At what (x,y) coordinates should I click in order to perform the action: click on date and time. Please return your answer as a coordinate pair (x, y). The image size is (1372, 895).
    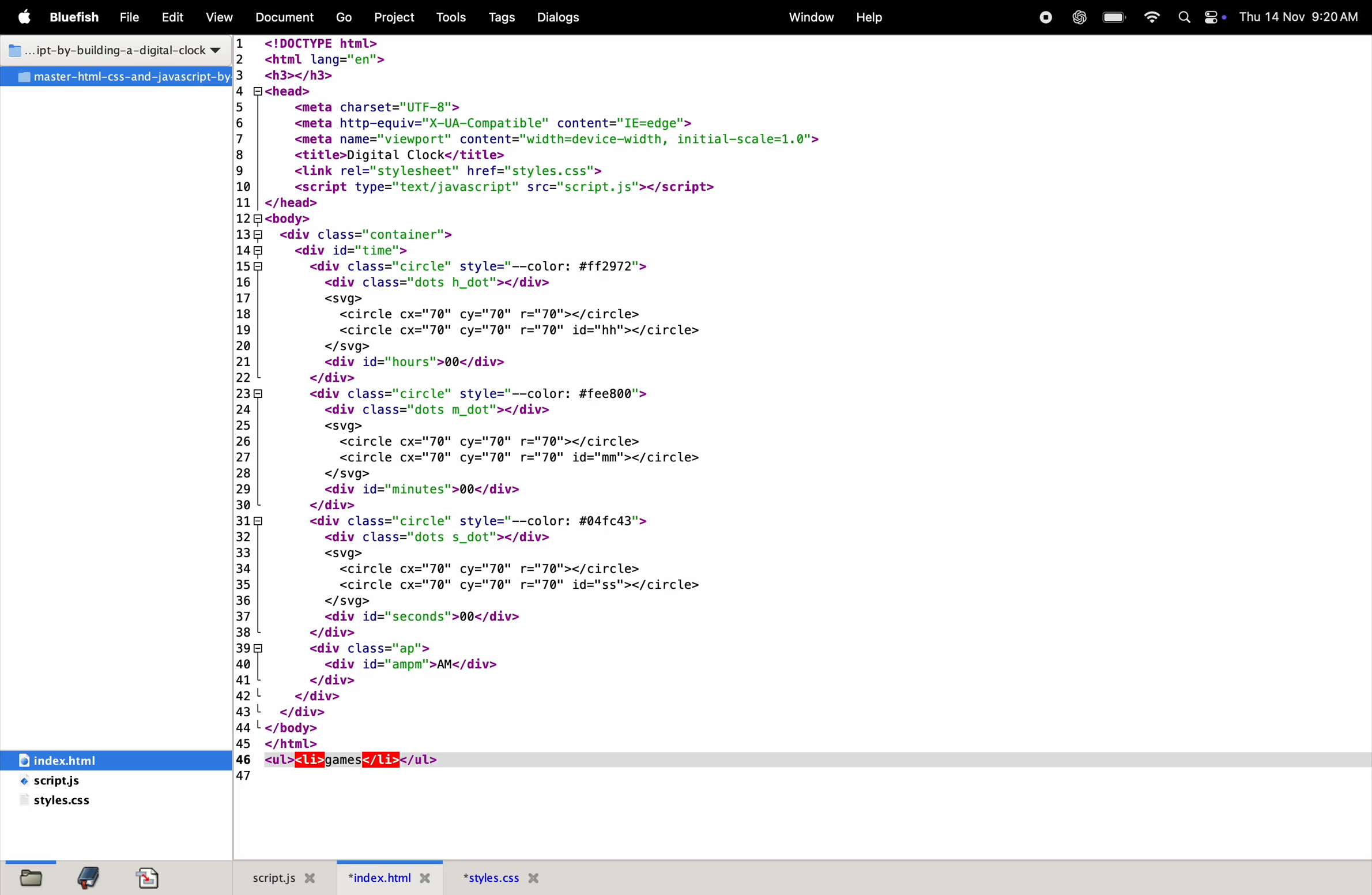
    Looking at the image, I should click on (1299, 16).